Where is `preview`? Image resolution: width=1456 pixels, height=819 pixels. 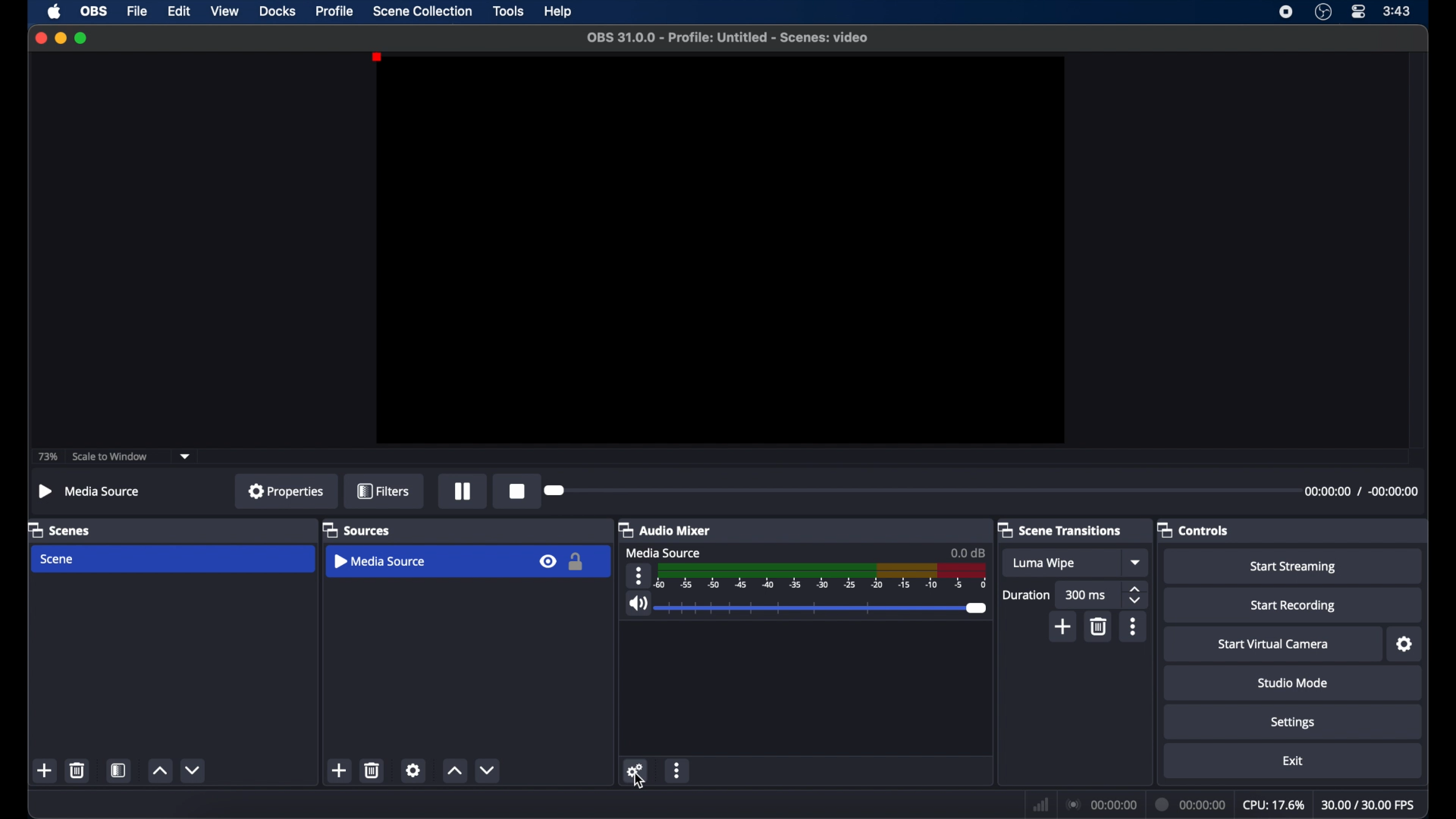
preview is located at coordinates (720, 250).